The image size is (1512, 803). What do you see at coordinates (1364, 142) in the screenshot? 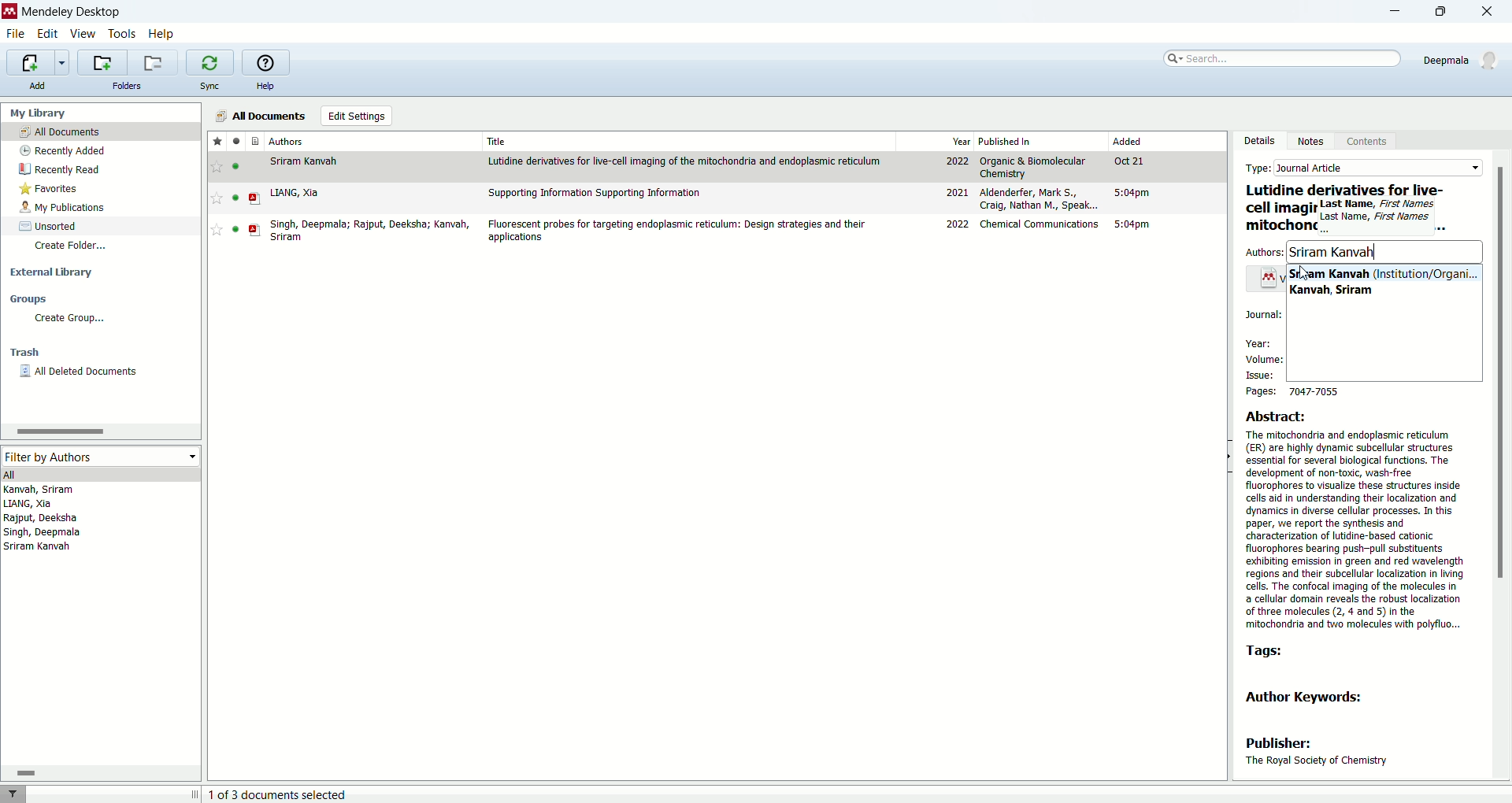
I see `content` at bounding box center [1364, 142].